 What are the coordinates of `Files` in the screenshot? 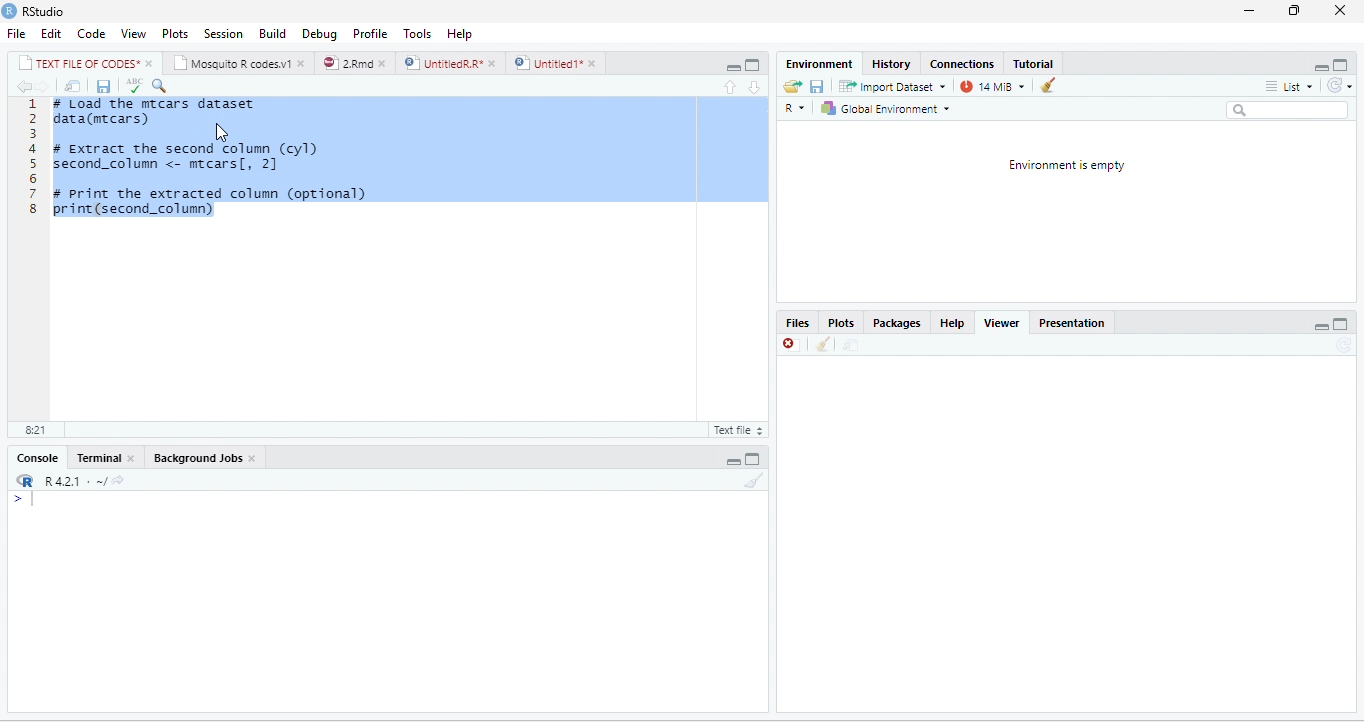 It's located at (798, 324).